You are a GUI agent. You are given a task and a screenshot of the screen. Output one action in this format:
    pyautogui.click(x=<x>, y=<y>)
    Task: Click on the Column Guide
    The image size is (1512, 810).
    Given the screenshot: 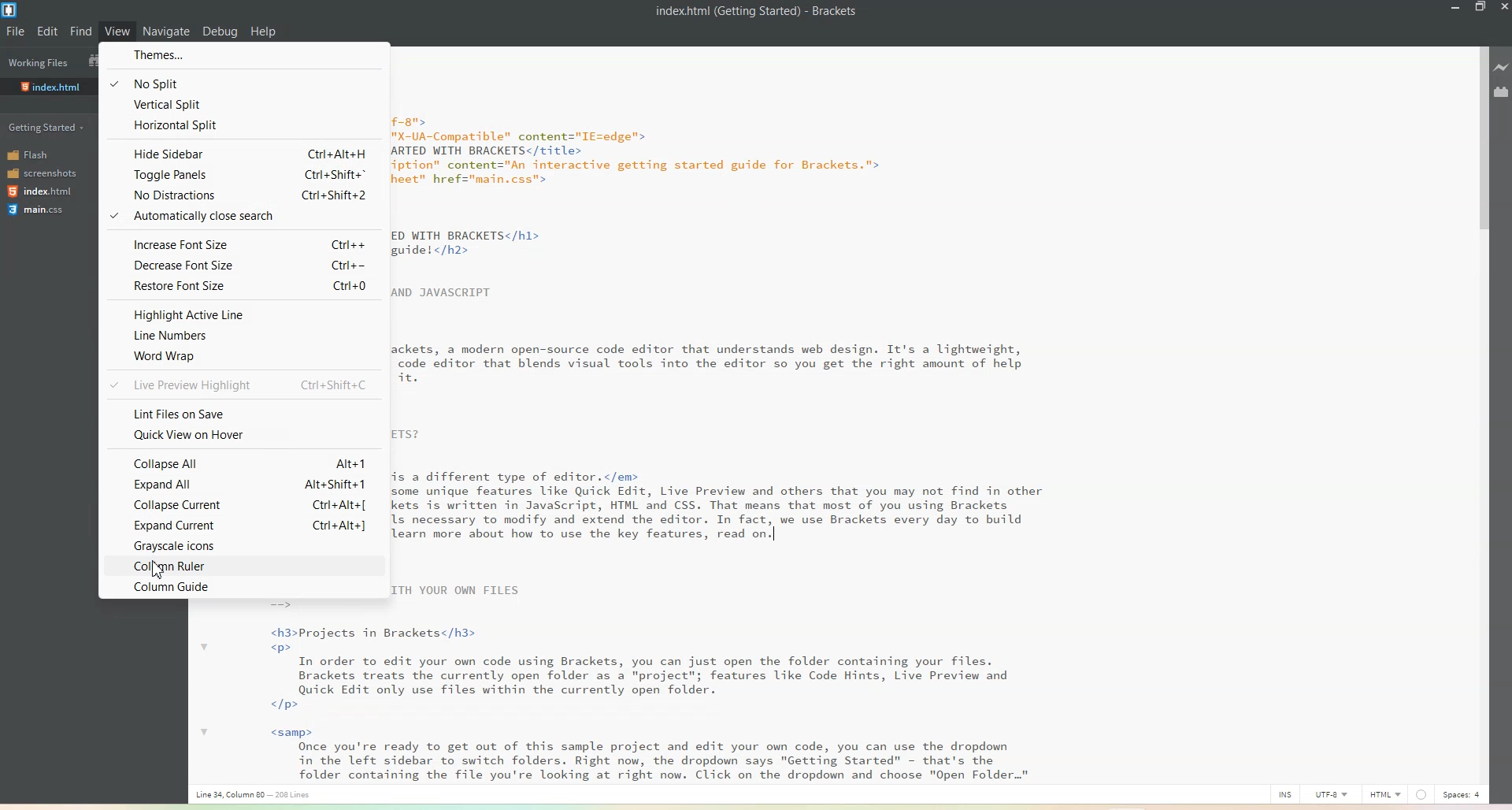 What is the action you would take?
    pyautogui.click(x=242, y=586)
    